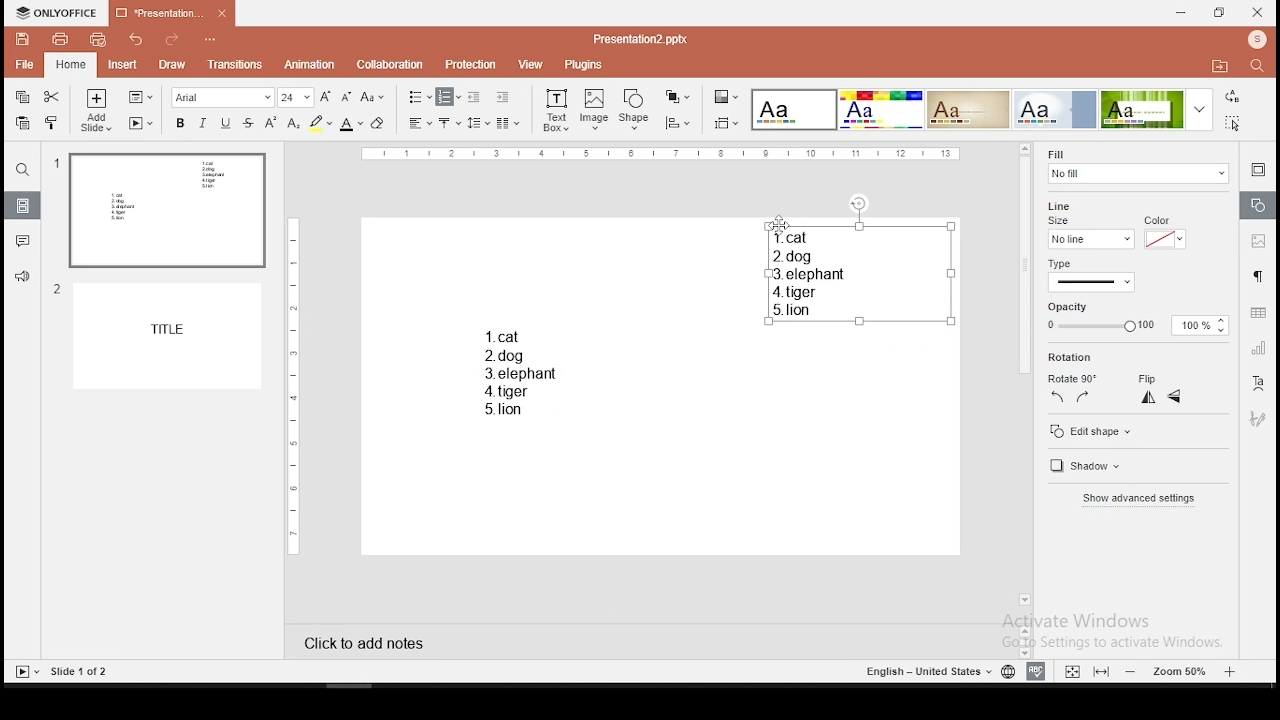 The width and height of the screenshot is (1280, 720). Describe the element at coordinates (1147, 398) in the screenshot. I see `flip vertical` at that location.